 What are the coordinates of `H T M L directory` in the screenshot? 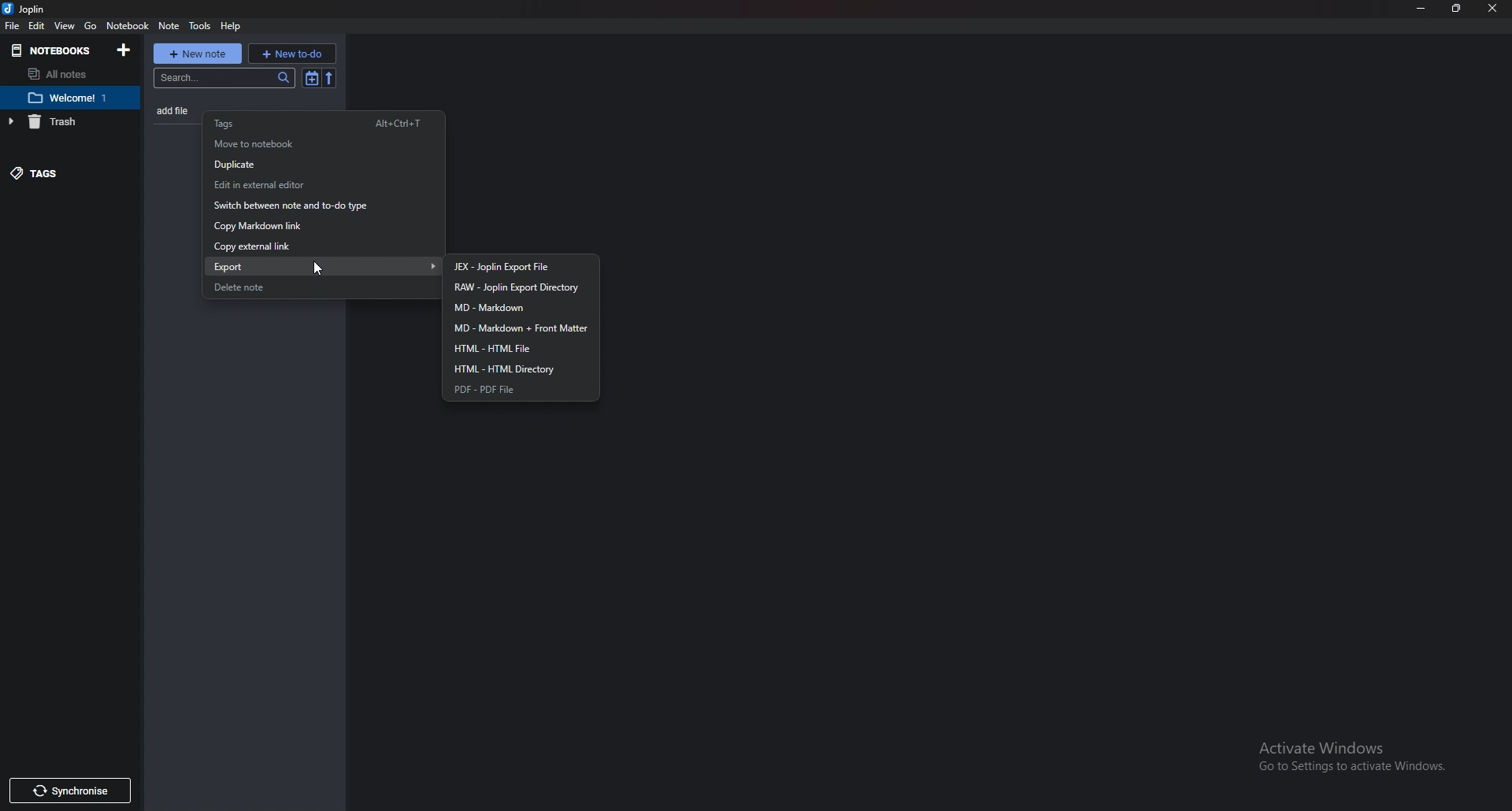 It's located at (519, 368).